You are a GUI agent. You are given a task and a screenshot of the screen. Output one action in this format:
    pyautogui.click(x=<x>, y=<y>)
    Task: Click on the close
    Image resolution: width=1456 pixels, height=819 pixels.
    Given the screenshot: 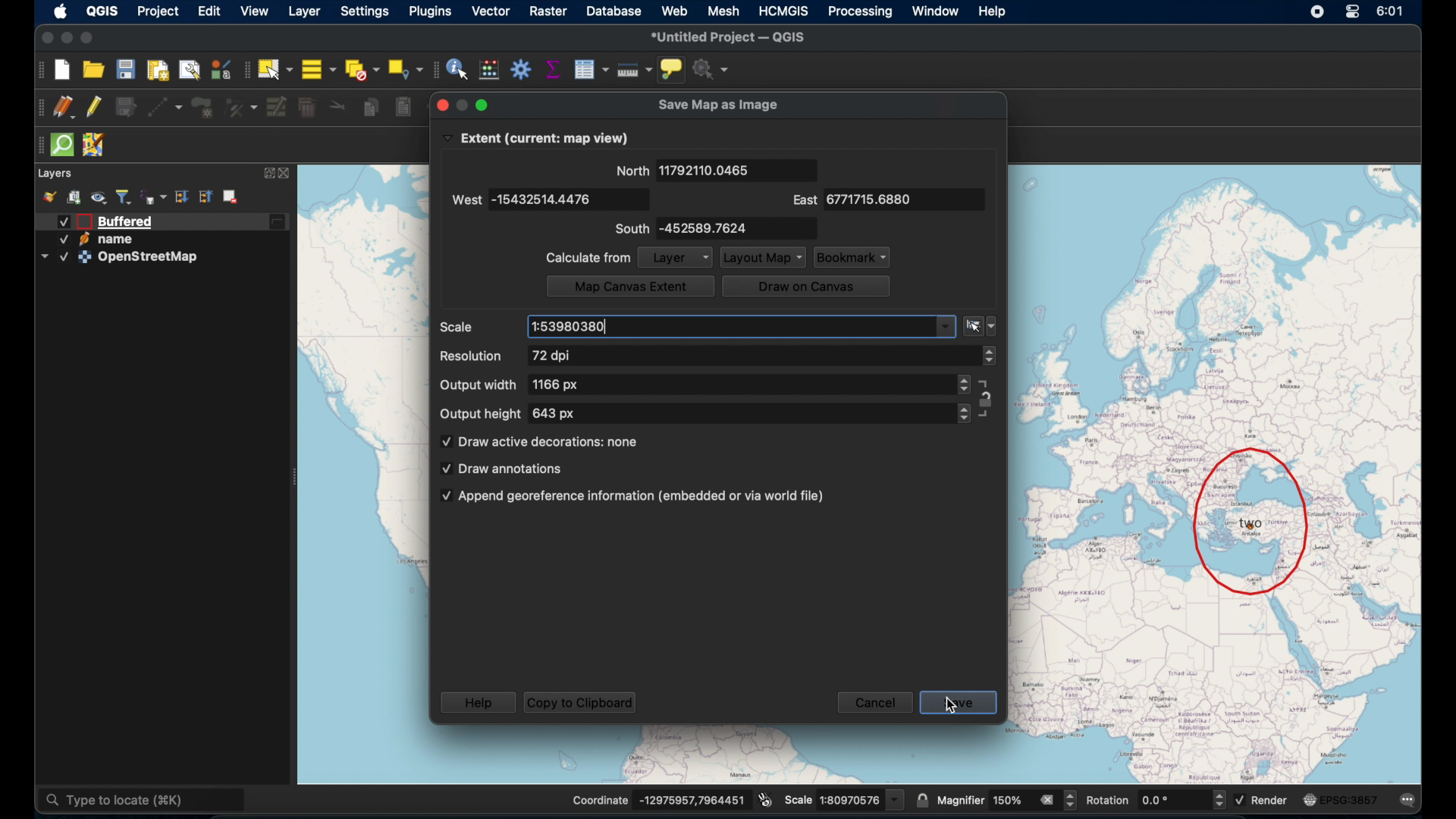 What is the action you would take?
    pyautogui.click(x=288, y=174)
    